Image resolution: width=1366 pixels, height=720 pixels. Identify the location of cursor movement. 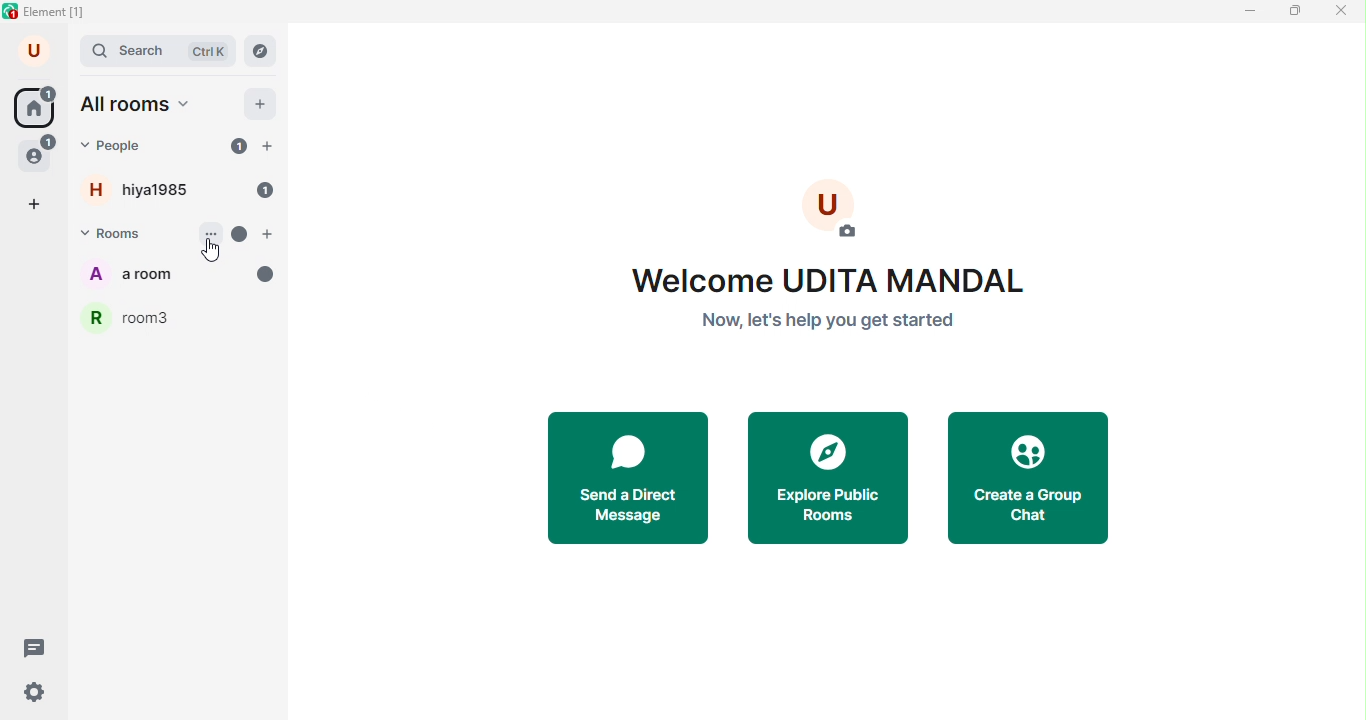
(210, 251).